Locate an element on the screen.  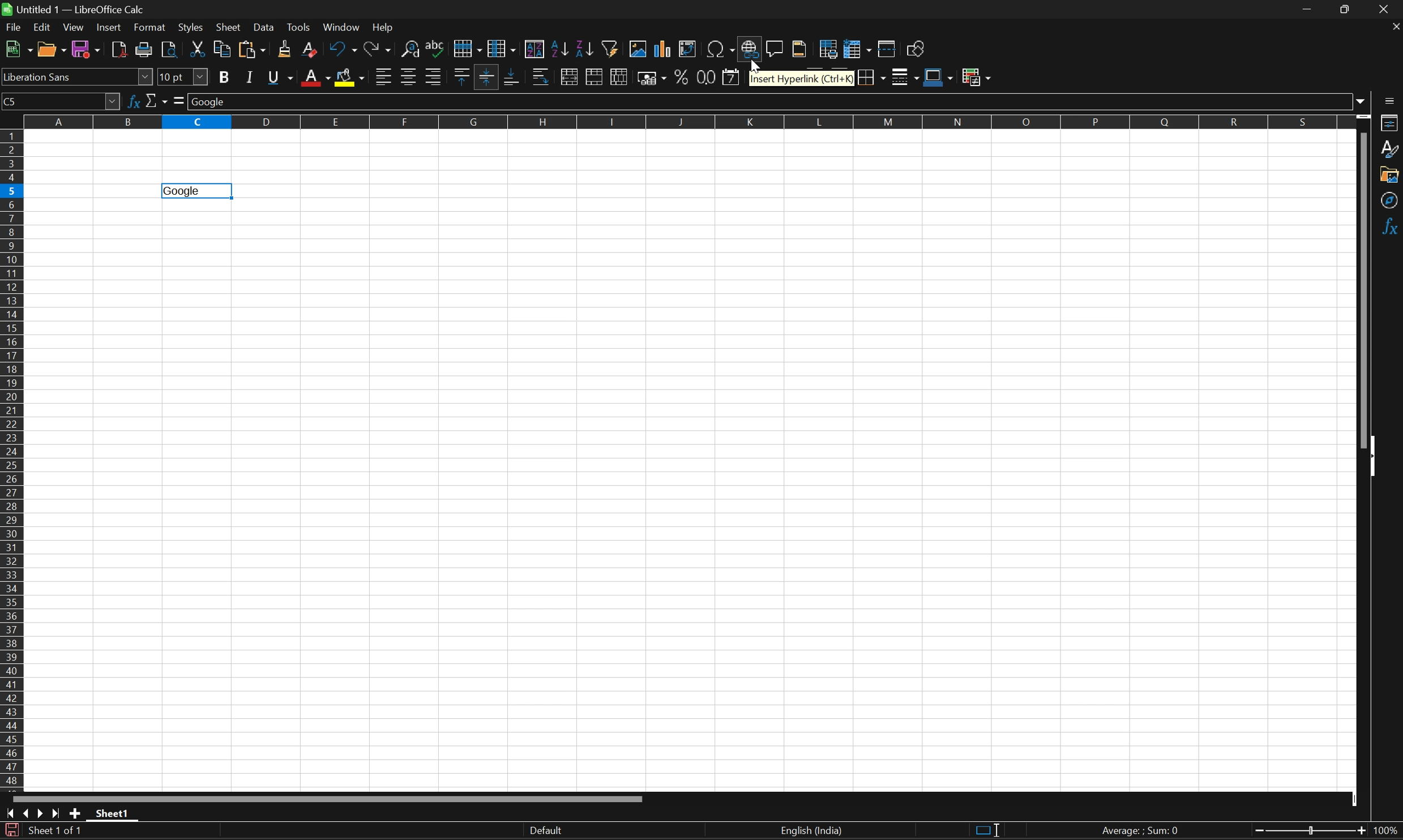
Sort descending is located at coordinates (586, 49).